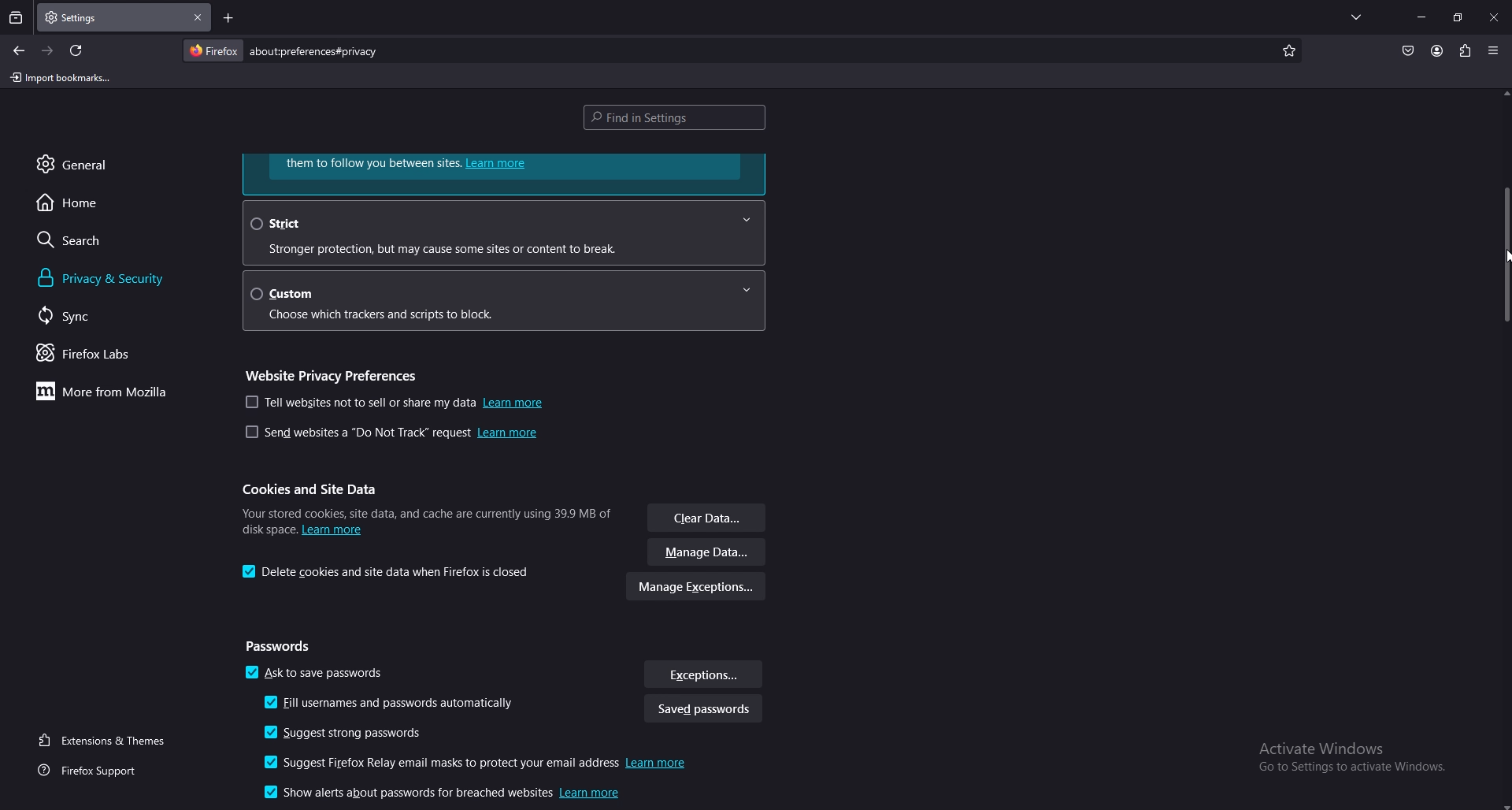 This screenshot has width=1512, height=810. Describe the element at coordinates (391, 435) in the screenshot. I see `send website do not track request` at that location.